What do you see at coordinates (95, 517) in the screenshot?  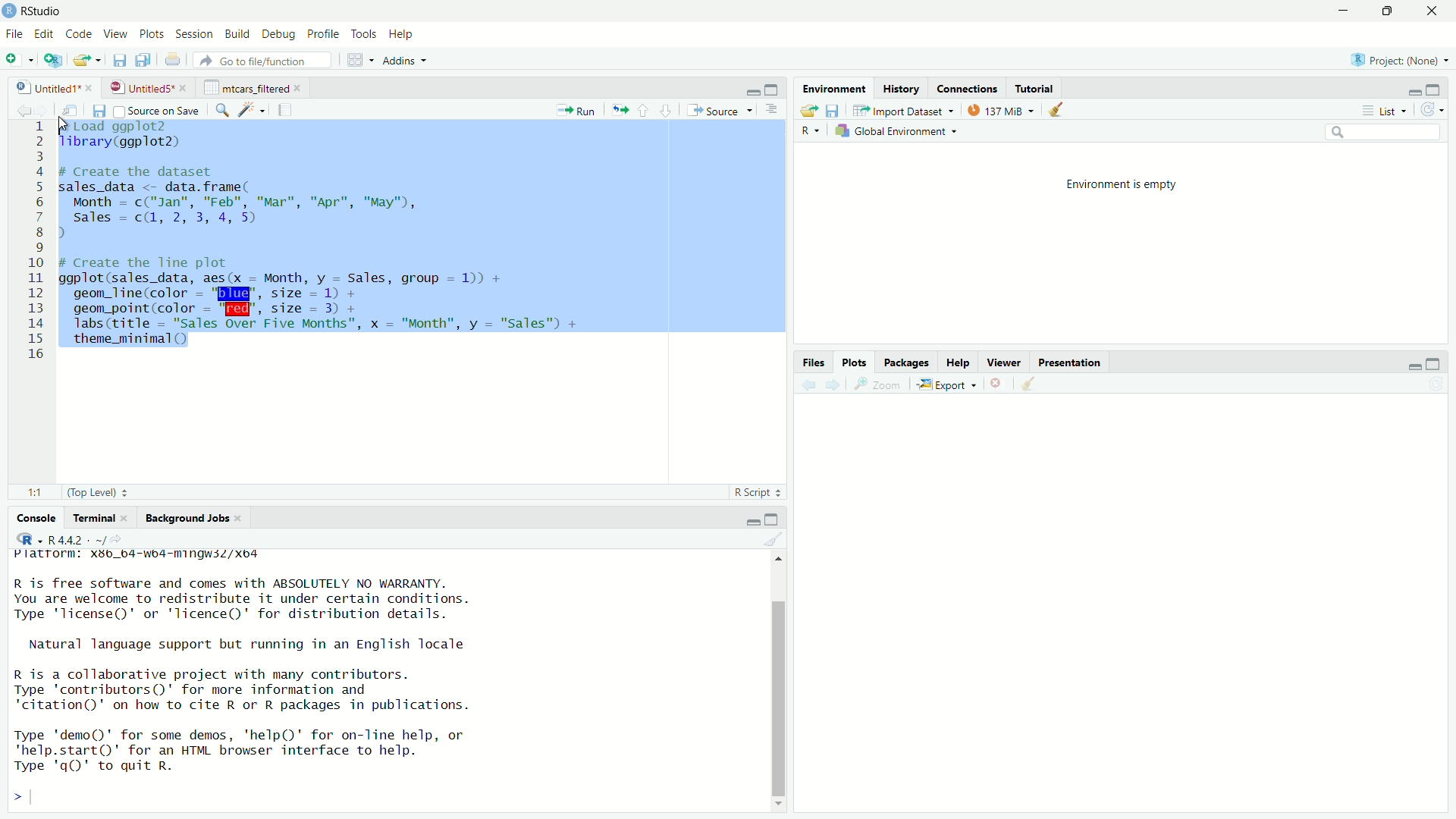 I see `Terminal` at bounding box center [95, 517].